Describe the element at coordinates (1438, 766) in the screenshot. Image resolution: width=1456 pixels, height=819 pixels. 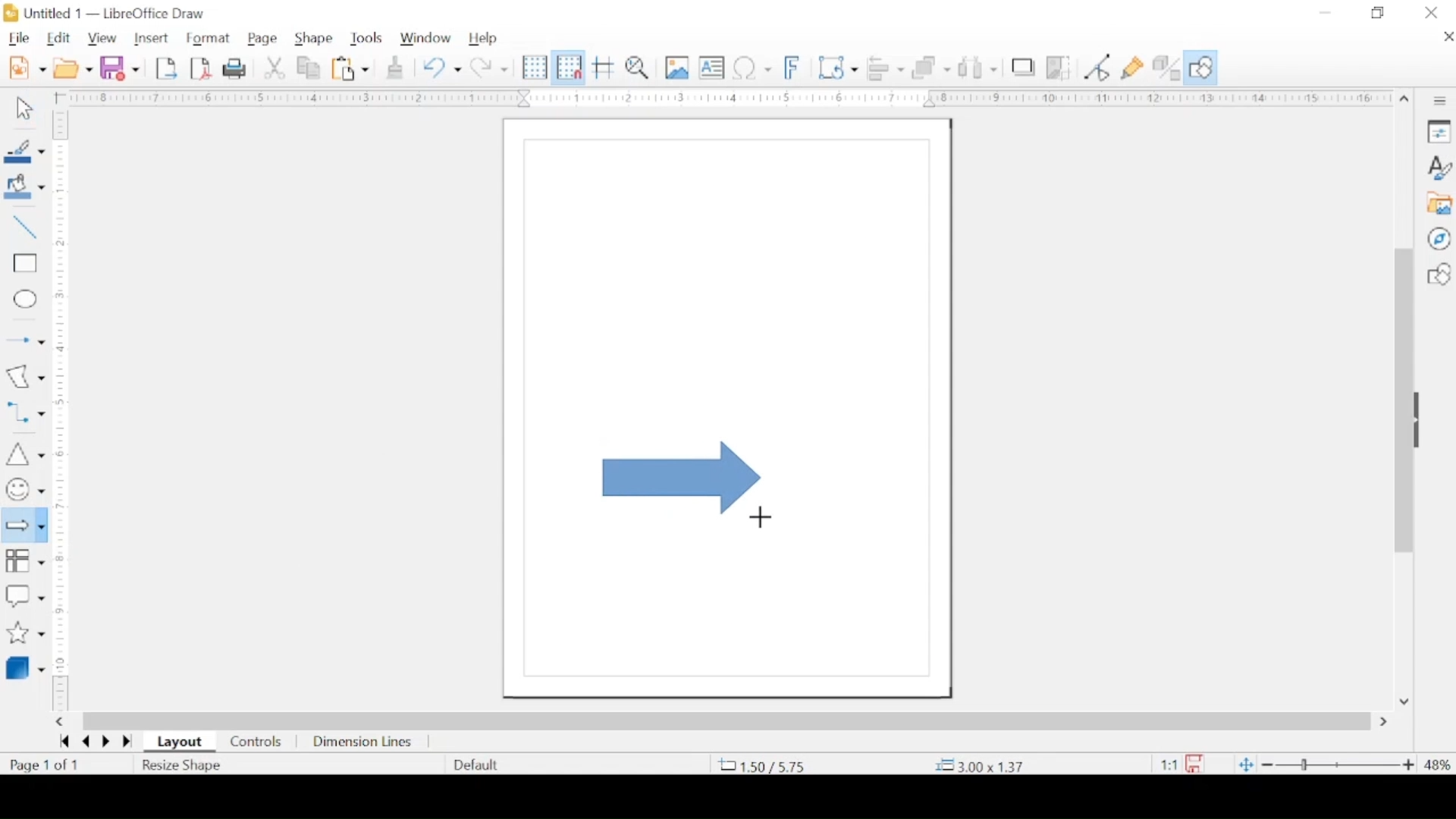
I see `zoom level` at that location.